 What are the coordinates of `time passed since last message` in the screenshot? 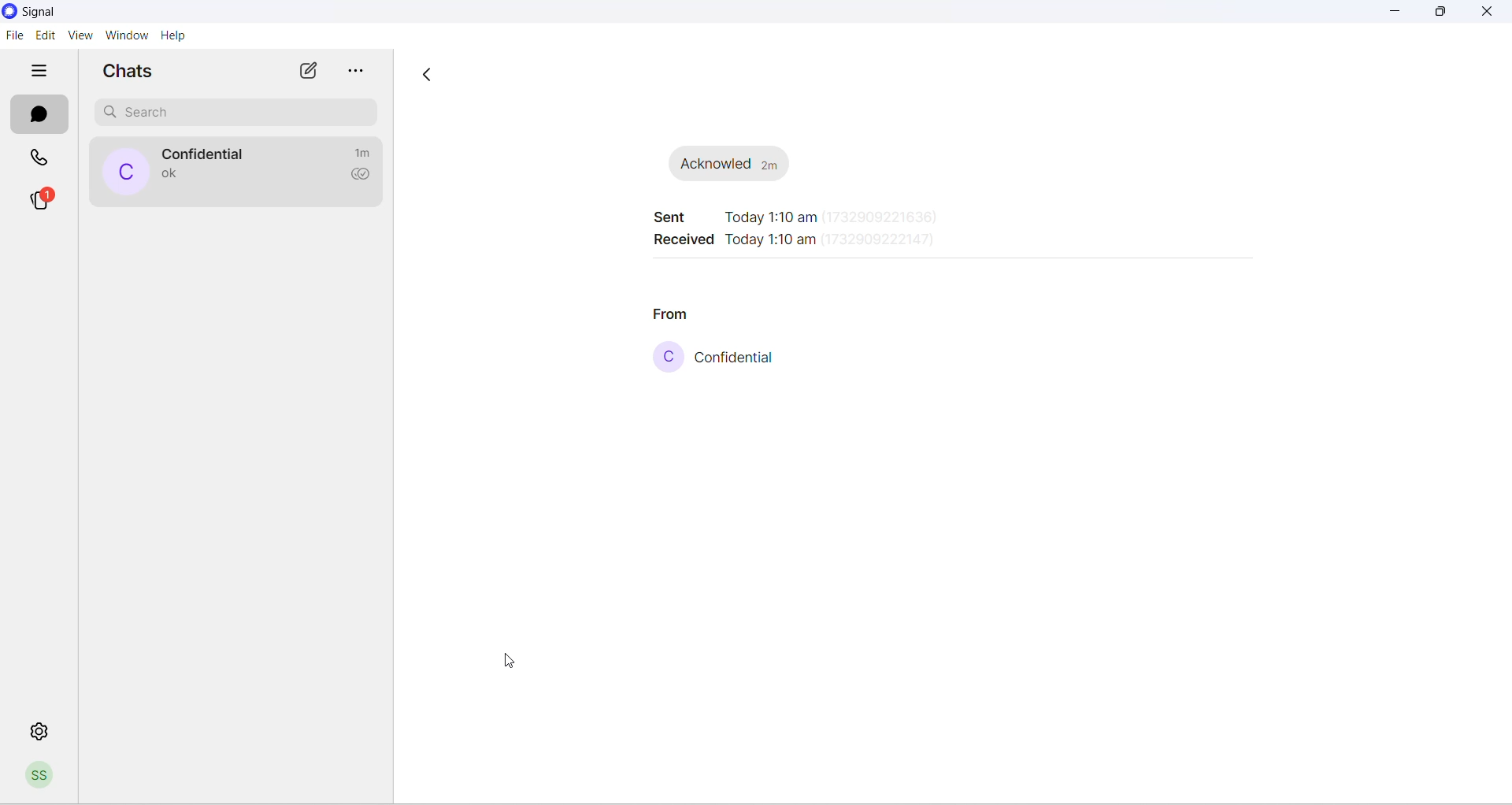 It's located at (362, 152).